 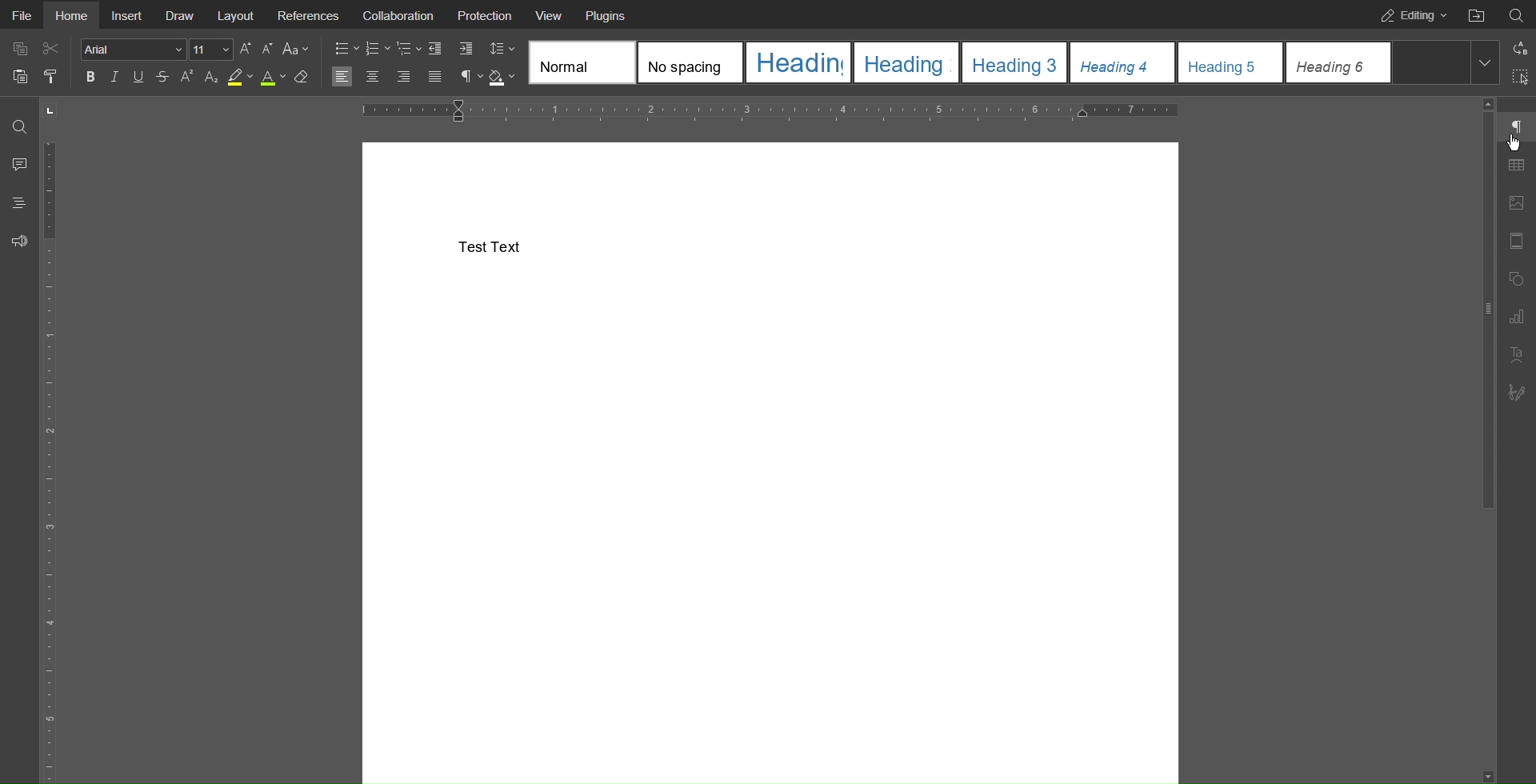 I want to click on References, so click(x=309, y=14).